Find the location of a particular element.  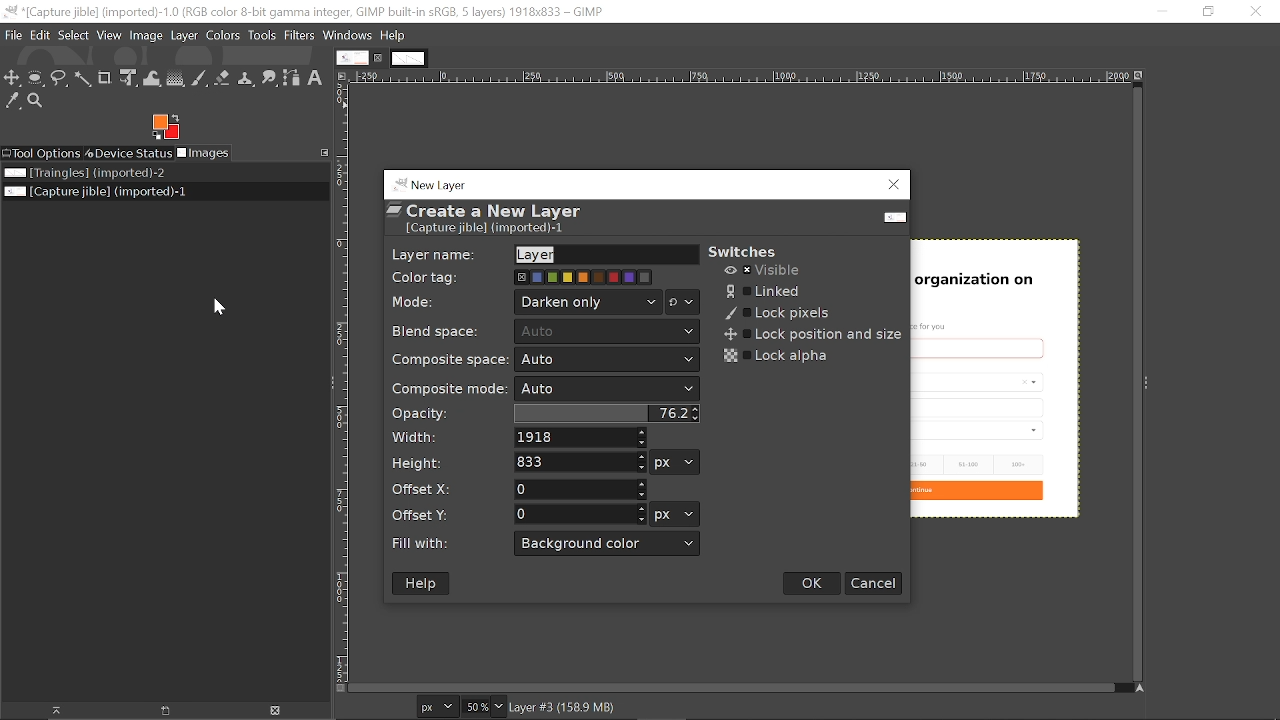

Filters is located at coordinates (302, 36).